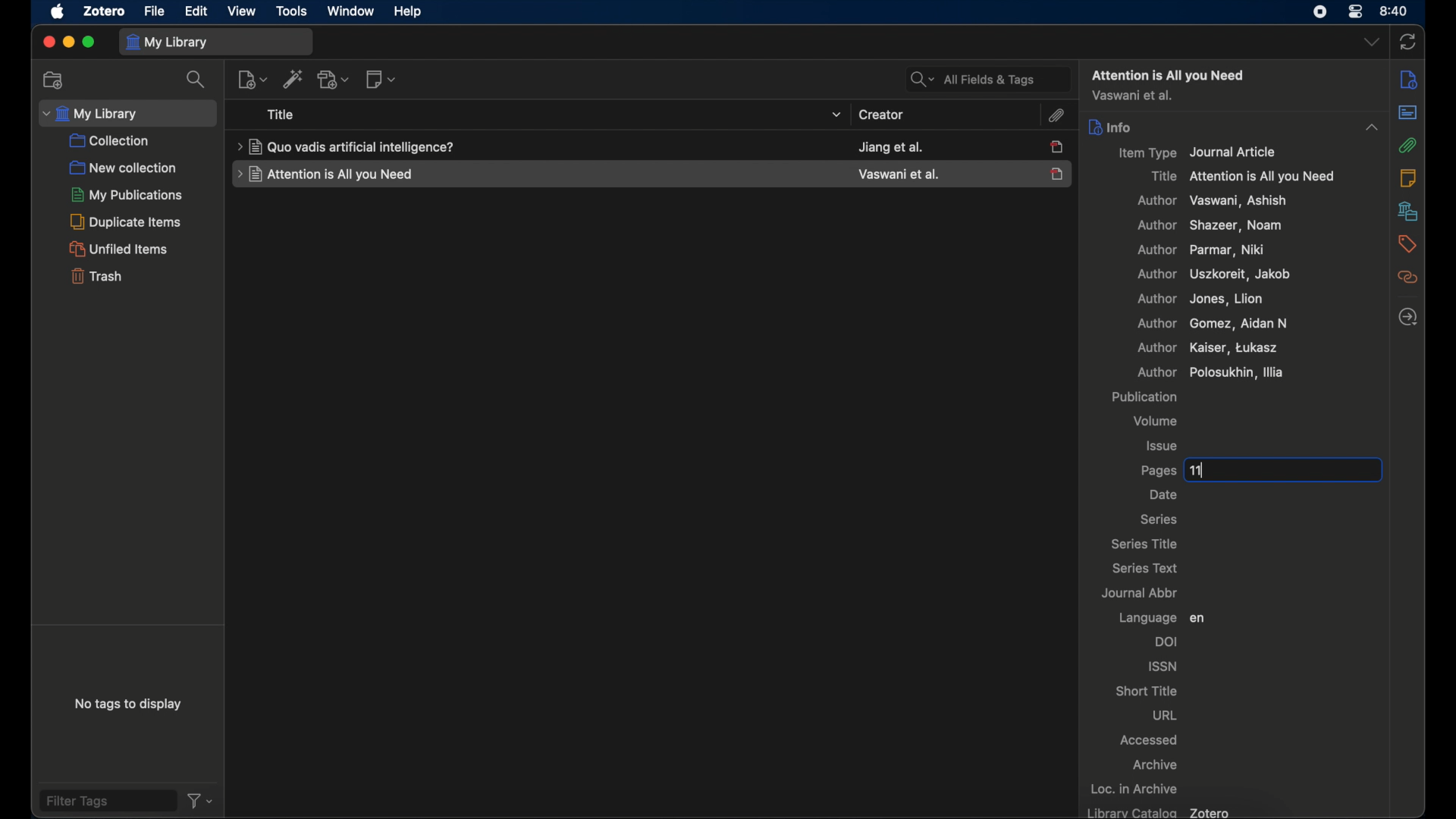 This screenshot has width=1456, height=819. What do you see at coordinates (1408, 80) in the screenshot?
I see `sidebar settings` at bounding box center [1408, 80].